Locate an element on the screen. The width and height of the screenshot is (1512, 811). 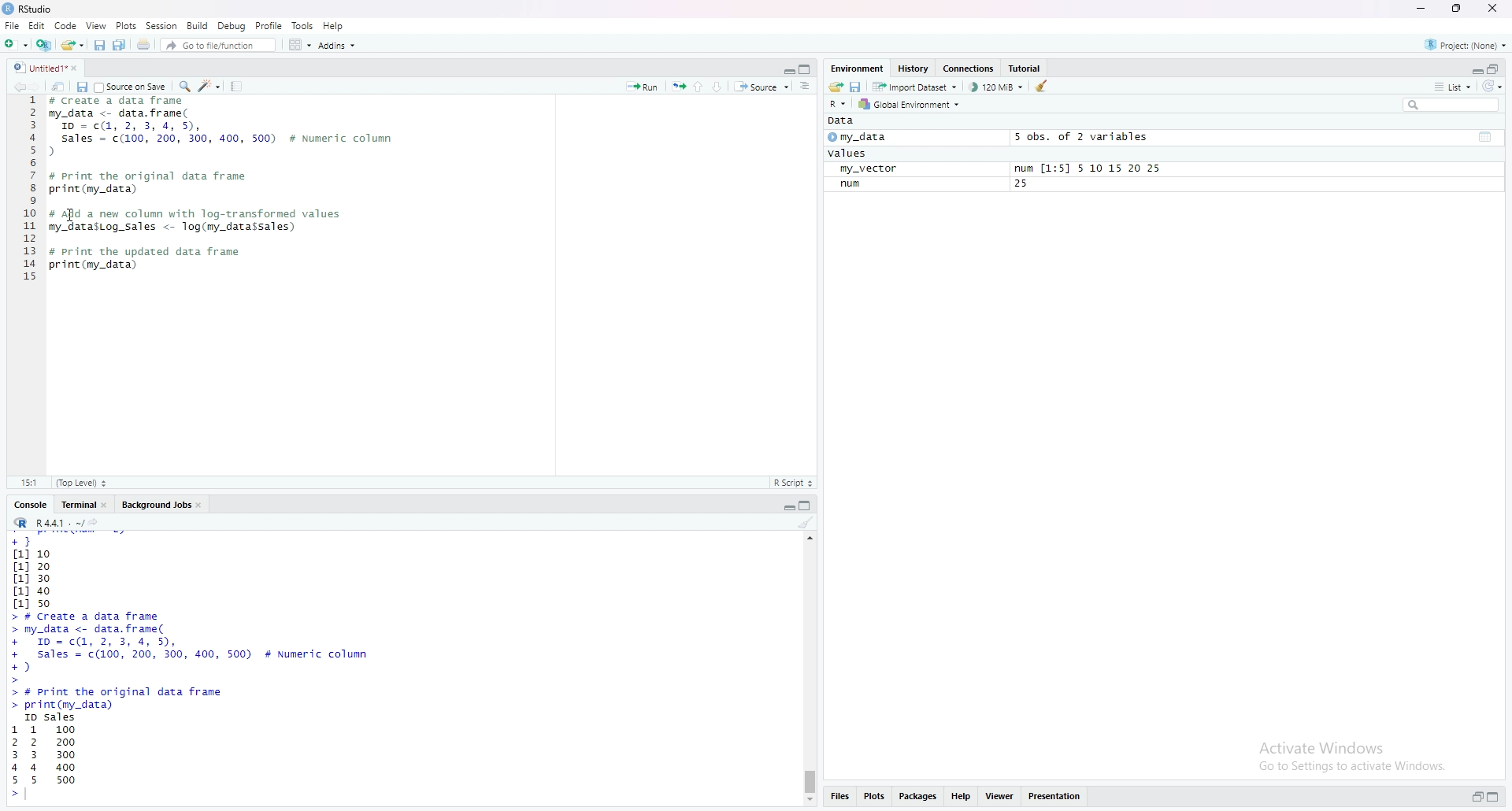
compile report is located at coordinates (238, 87).